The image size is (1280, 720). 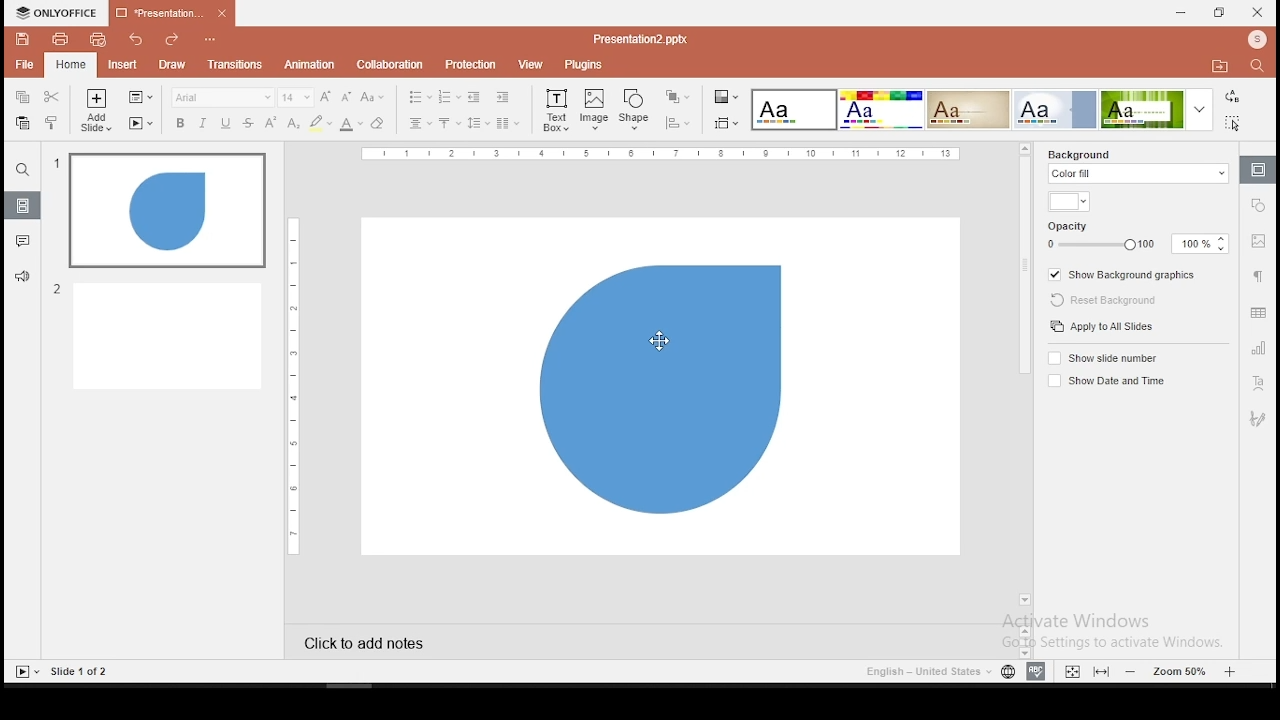 I want to click on highlight, so click(x=320, y=124).